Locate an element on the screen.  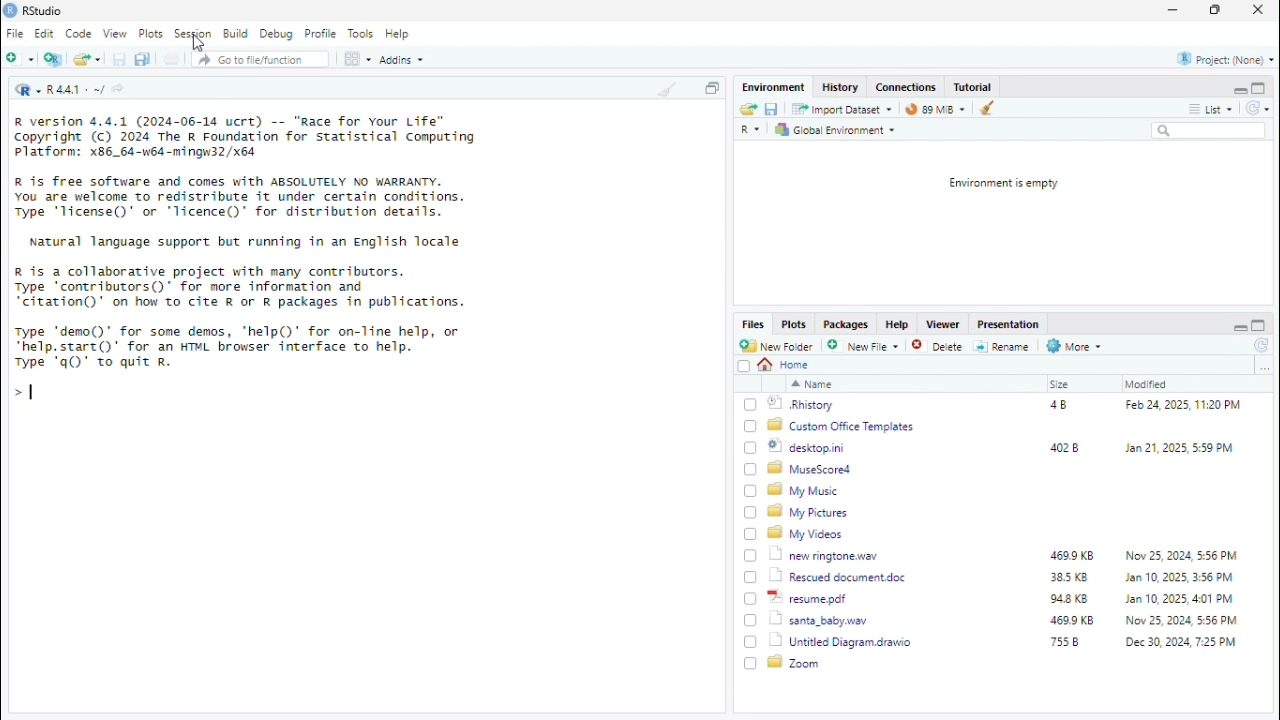
Debug is located at coordinates (277, 34).